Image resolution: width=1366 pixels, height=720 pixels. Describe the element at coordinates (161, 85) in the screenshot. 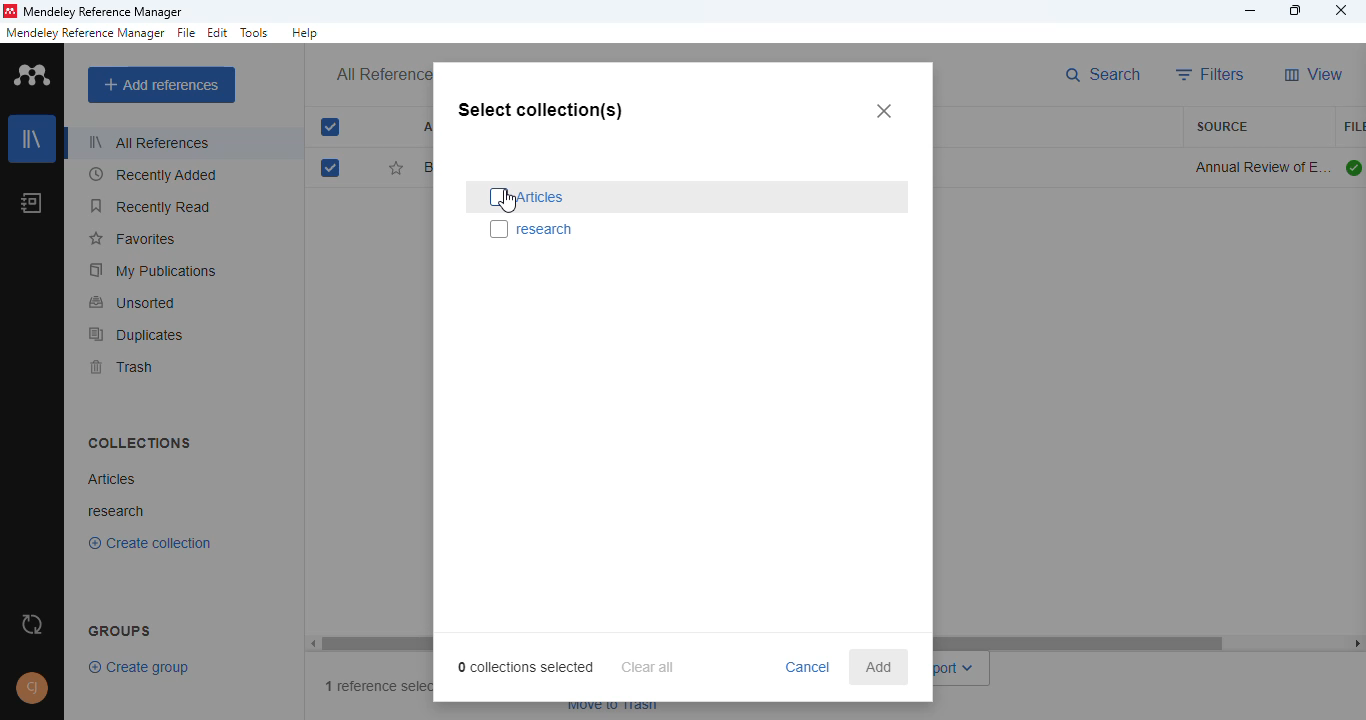

I see `add references` at that location.